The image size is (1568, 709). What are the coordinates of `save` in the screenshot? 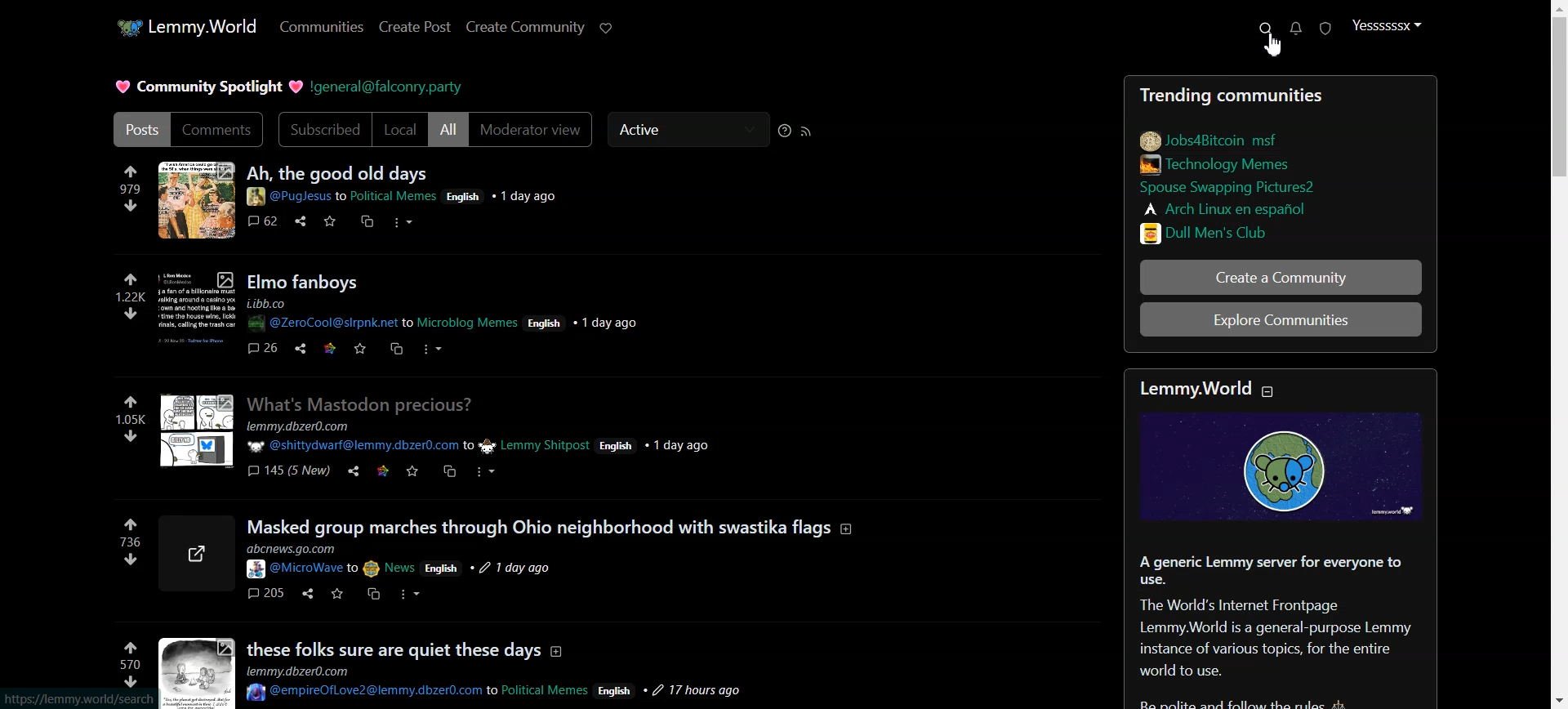 It's located at (335, 594).